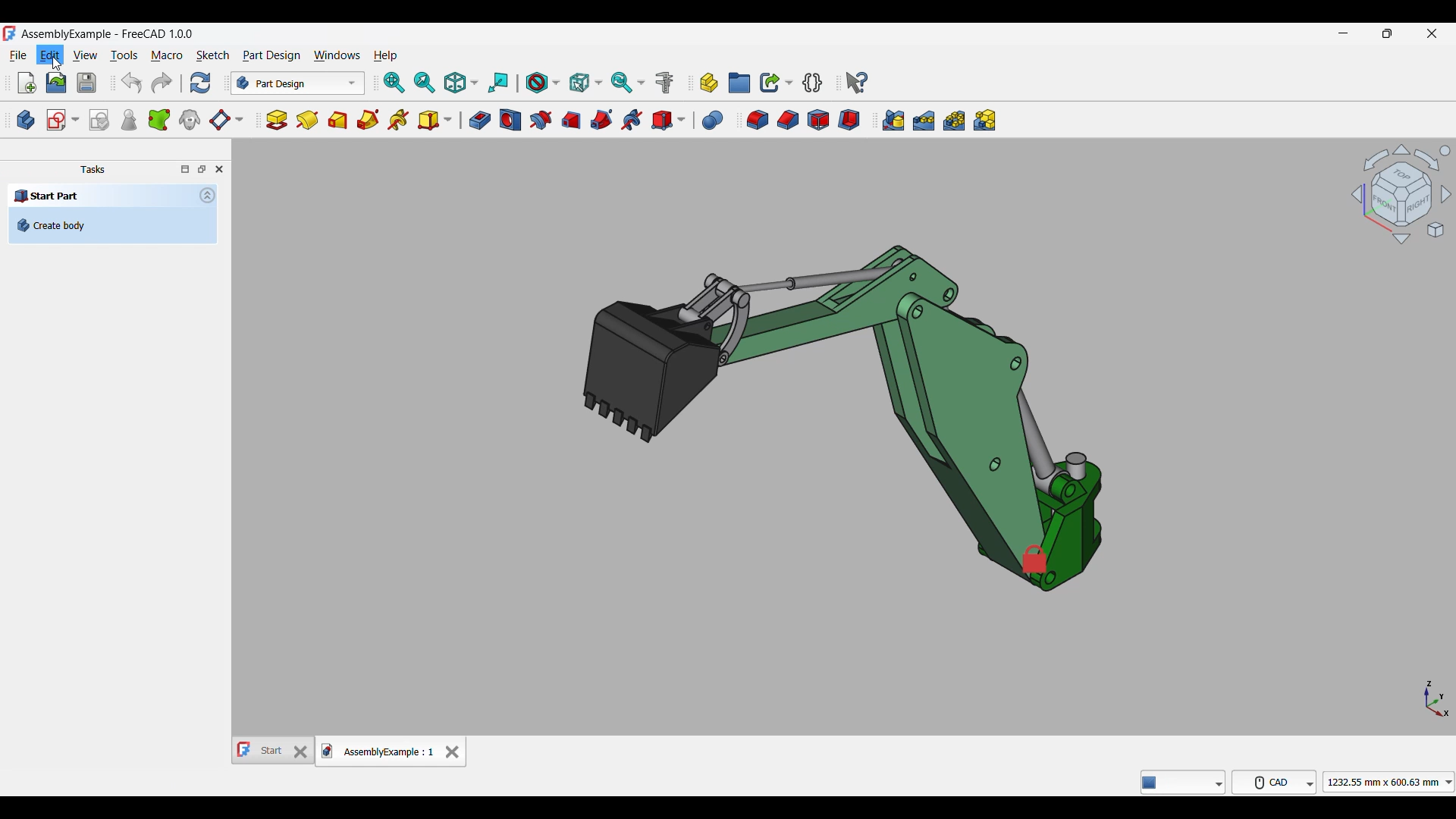  I want to click on File menu, so click(18, 55).